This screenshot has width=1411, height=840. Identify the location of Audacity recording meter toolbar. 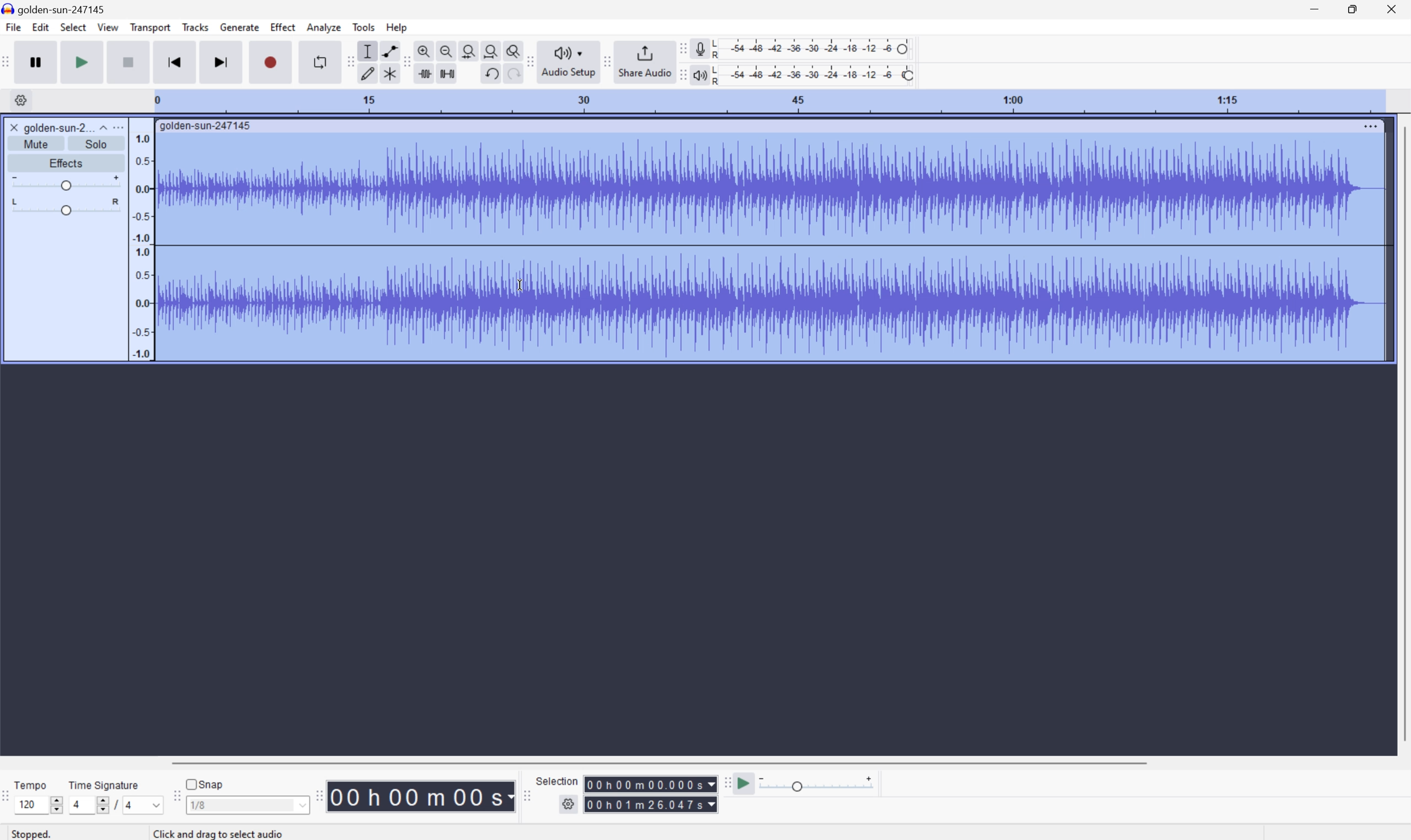
(680, 49).